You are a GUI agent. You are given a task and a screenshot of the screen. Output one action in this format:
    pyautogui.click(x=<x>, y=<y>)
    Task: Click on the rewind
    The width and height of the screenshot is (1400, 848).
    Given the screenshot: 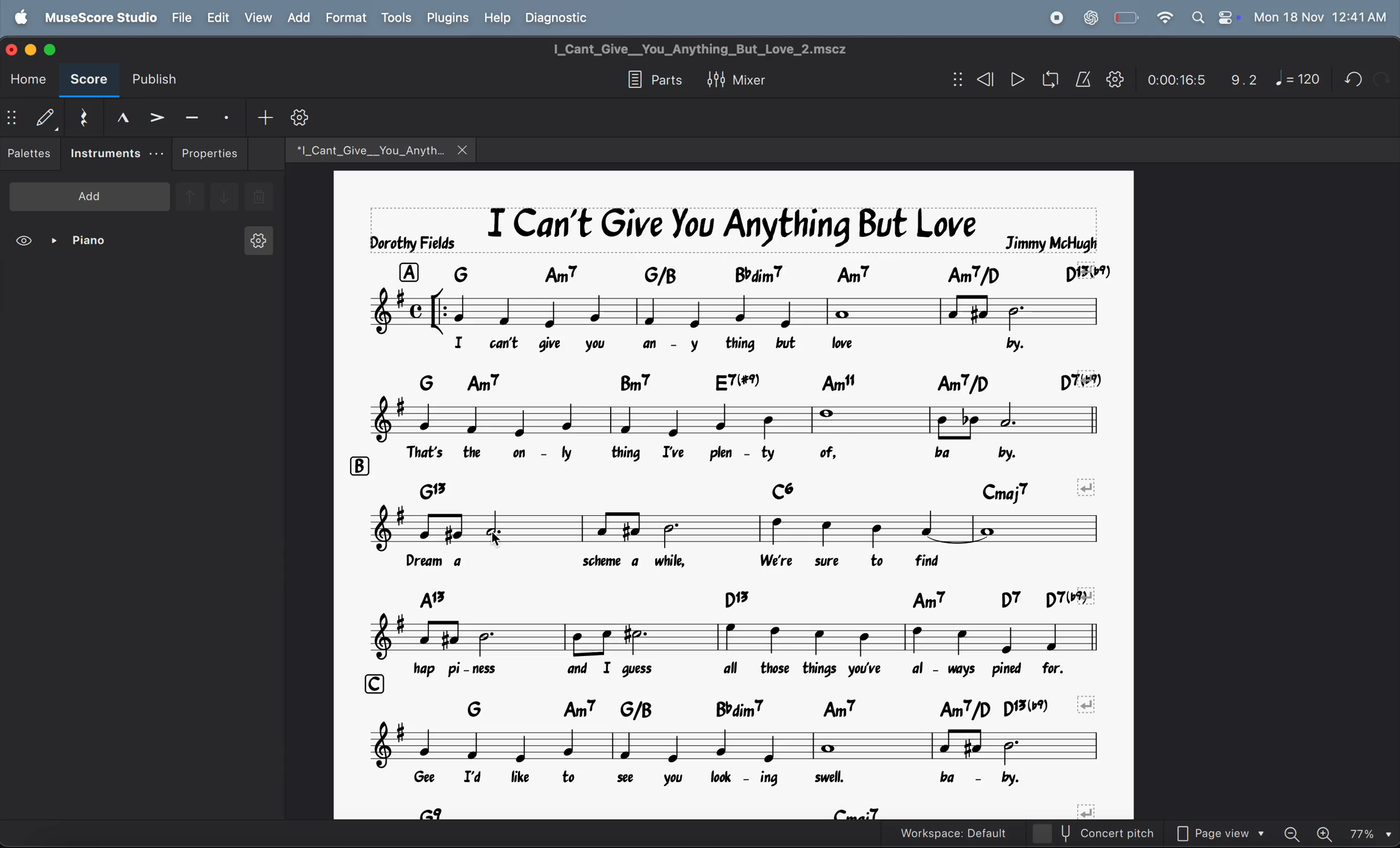 What is the action you would take?
    pyautogui.click(x=986, y=79)
    